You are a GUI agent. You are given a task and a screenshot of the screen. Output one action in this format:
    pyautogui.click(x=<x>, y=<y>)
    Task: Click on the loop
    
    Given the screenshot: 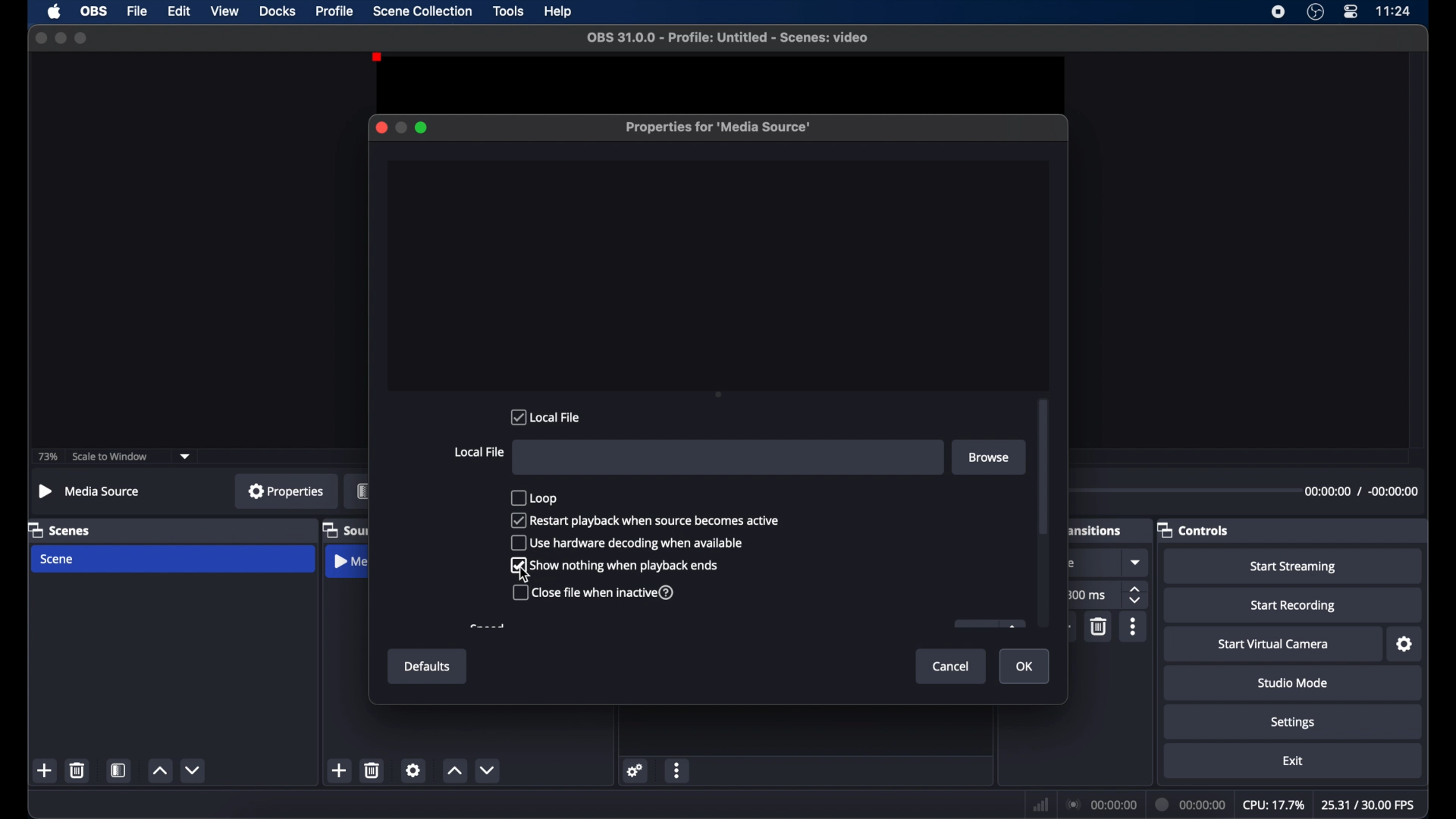 What is the action you would take?
    pyautogui.click(x=533, y=497)
    